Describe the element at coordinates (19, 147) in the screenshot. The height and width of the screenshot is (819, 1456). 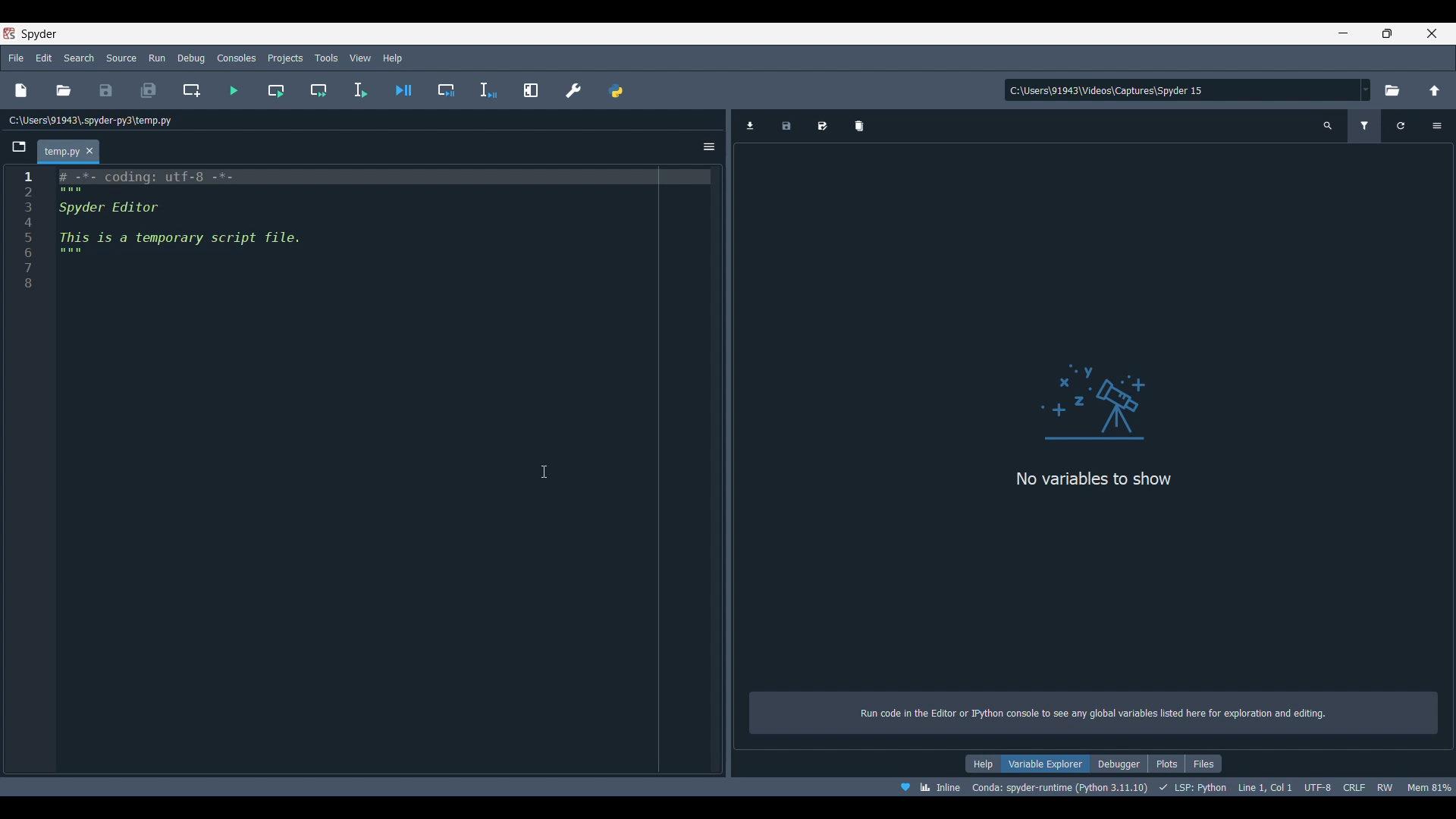
I see `Browse tabs` at that location.